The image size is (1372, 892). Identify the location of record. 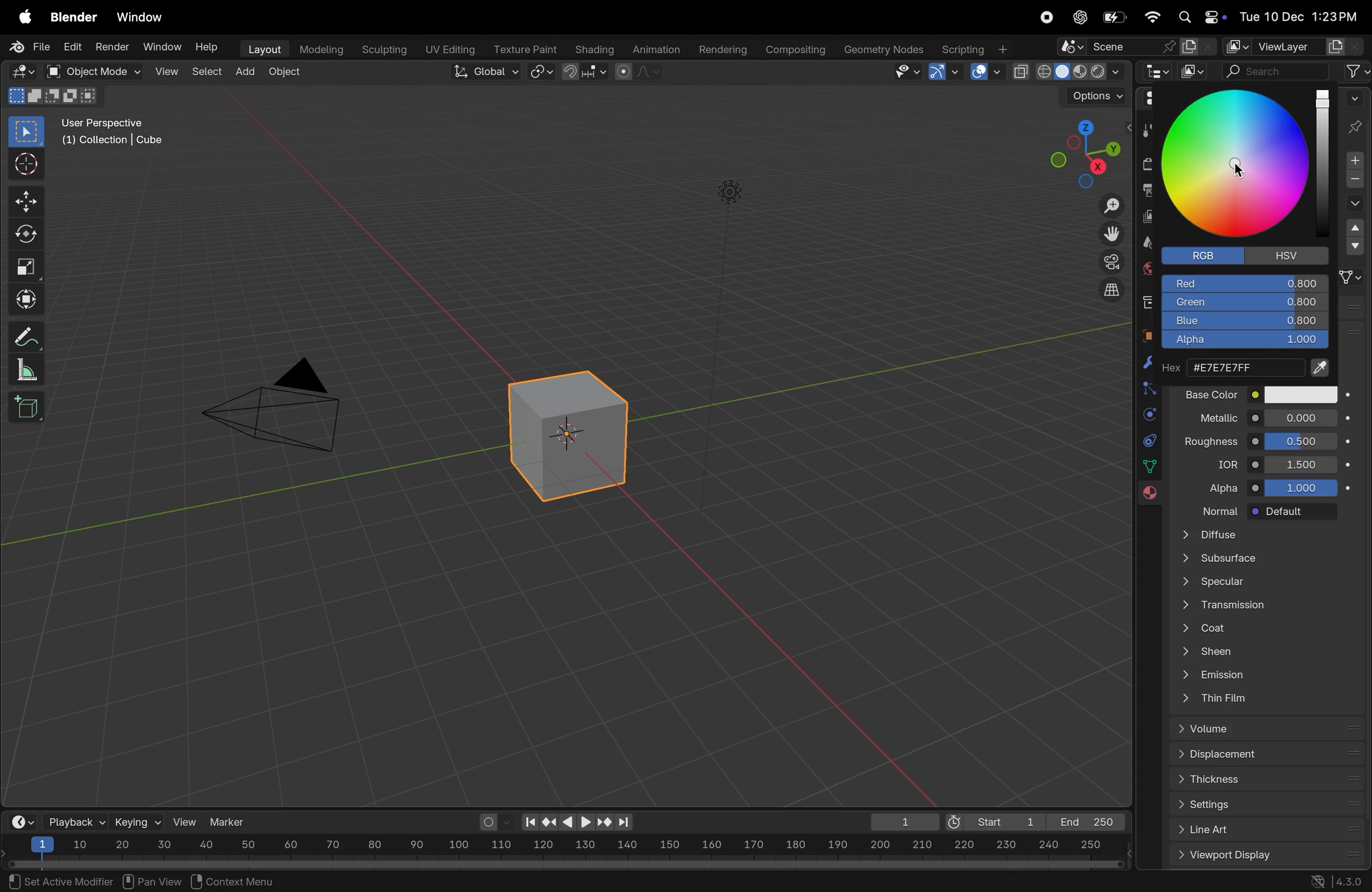
(1046, 18).